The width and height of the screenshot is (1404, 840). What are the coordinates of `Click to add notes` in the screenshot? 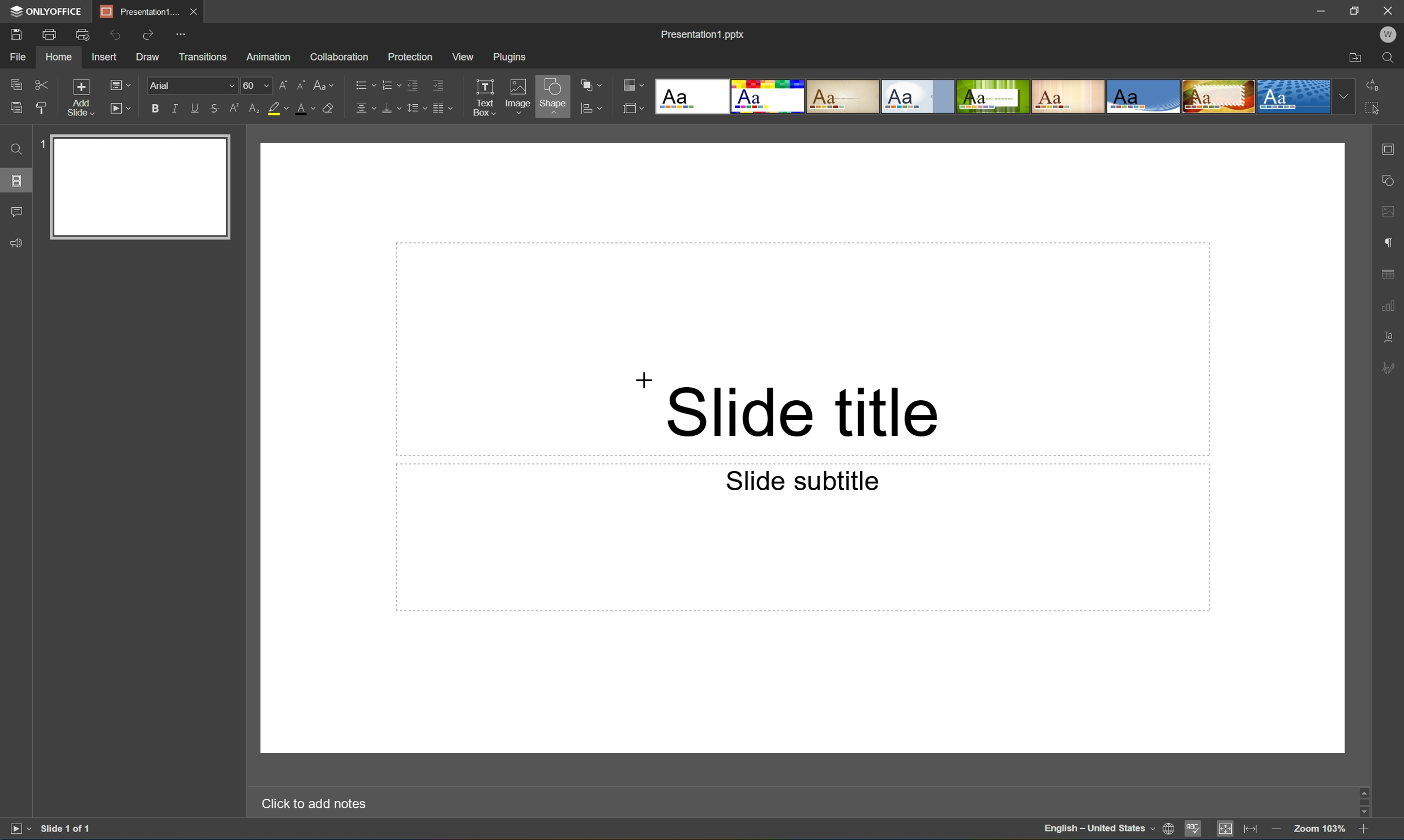 It's located at (310, 804).